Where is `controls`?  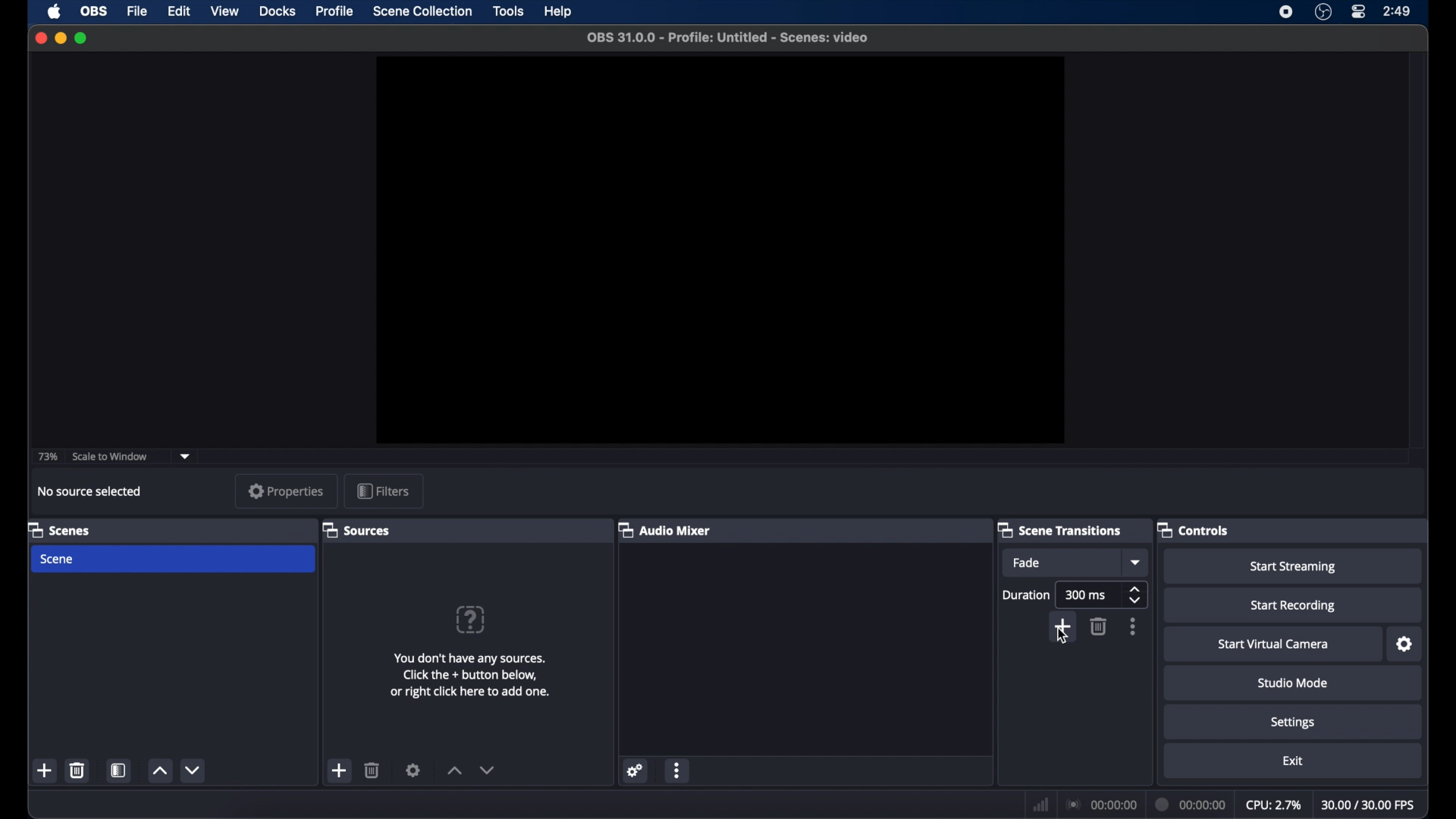
controls is located at coordinates (1195, 531).